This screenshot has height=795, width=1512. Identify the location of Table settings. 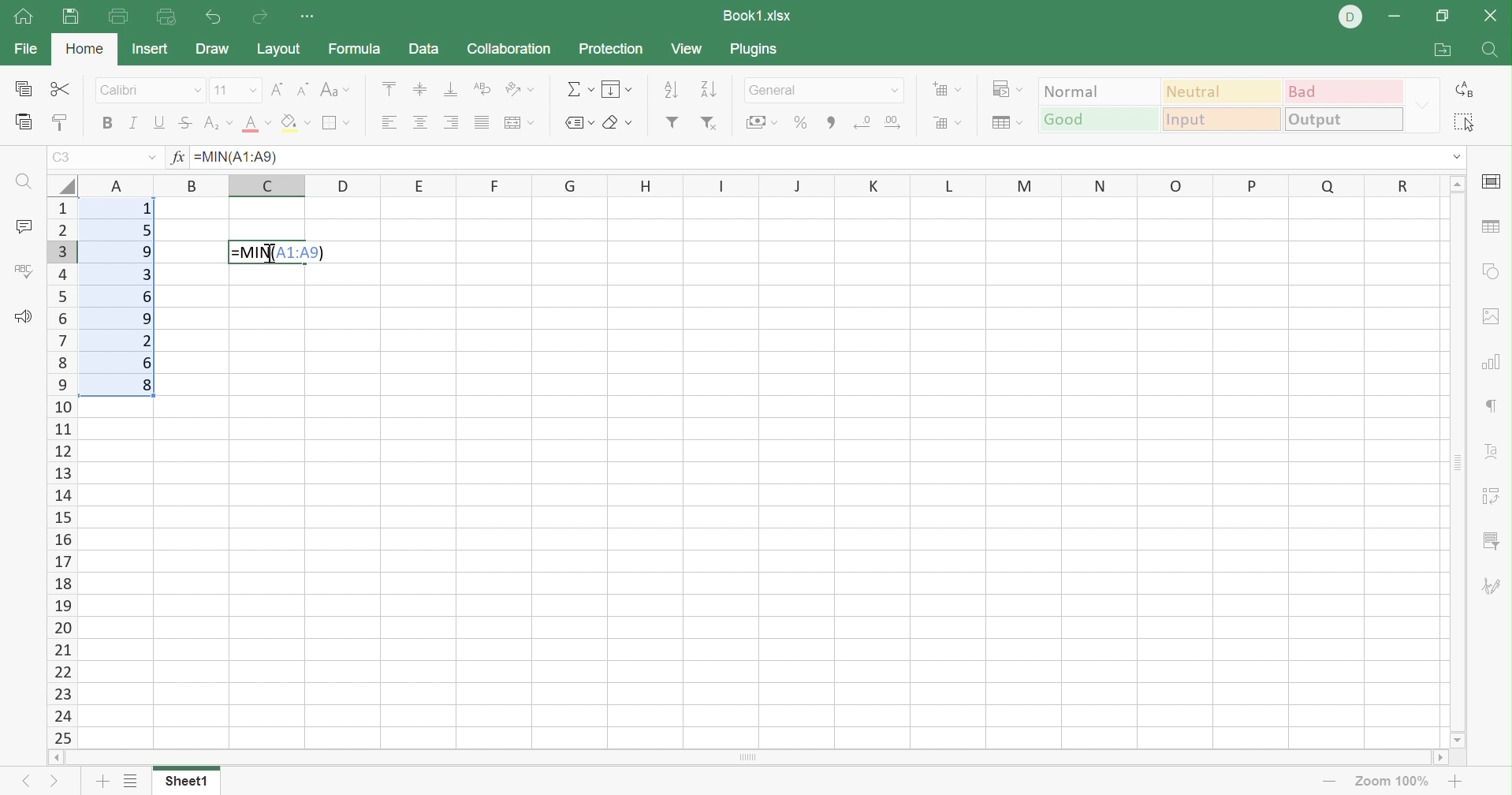
(1492, 227).